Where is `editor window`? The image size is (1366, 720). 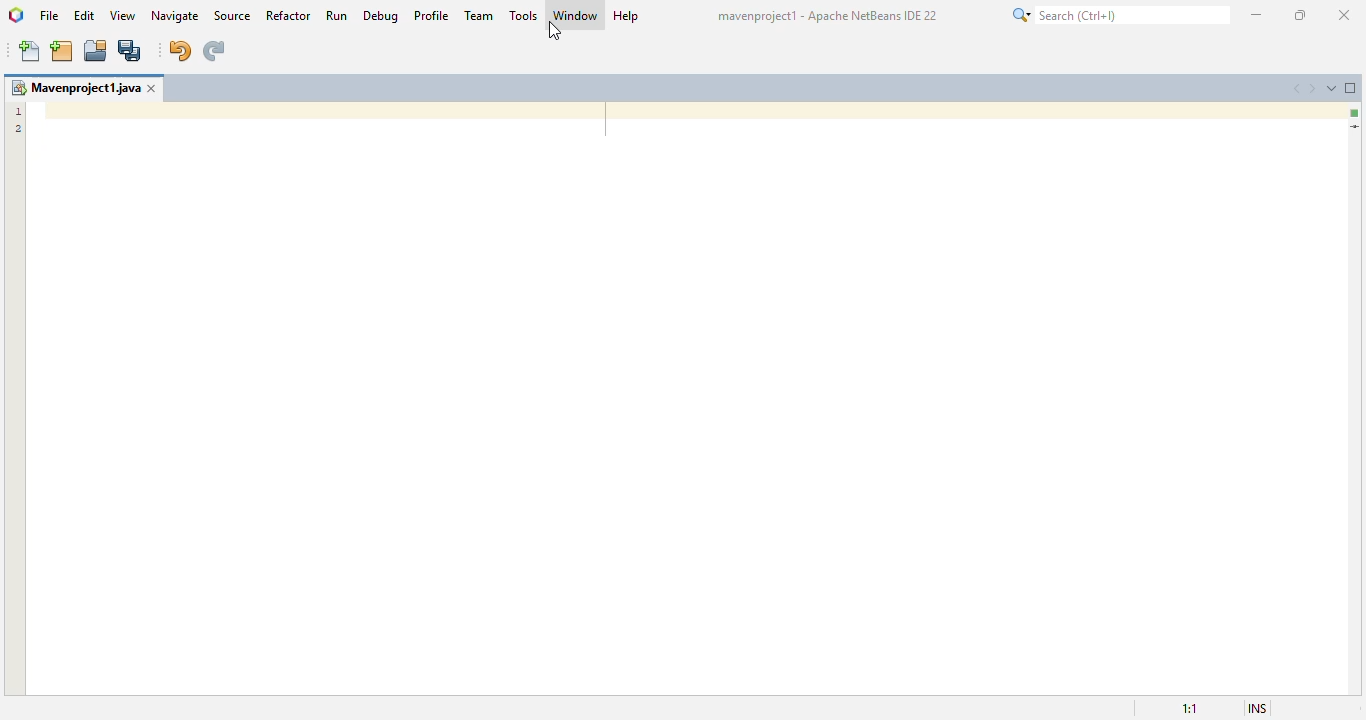
editor window is located at coordinates (688, 397).